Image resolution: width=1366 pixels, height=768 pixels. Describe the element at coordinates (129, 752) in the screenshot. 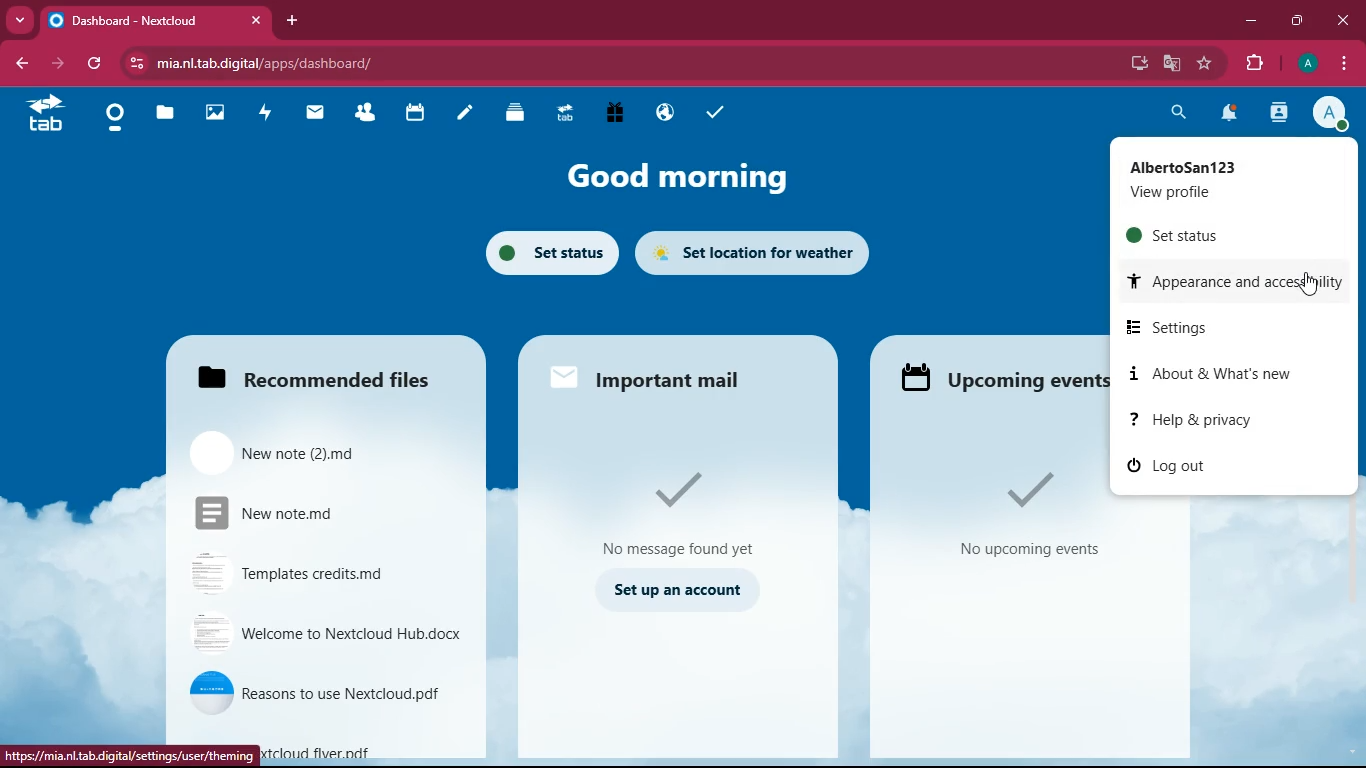

I see `` at that location.